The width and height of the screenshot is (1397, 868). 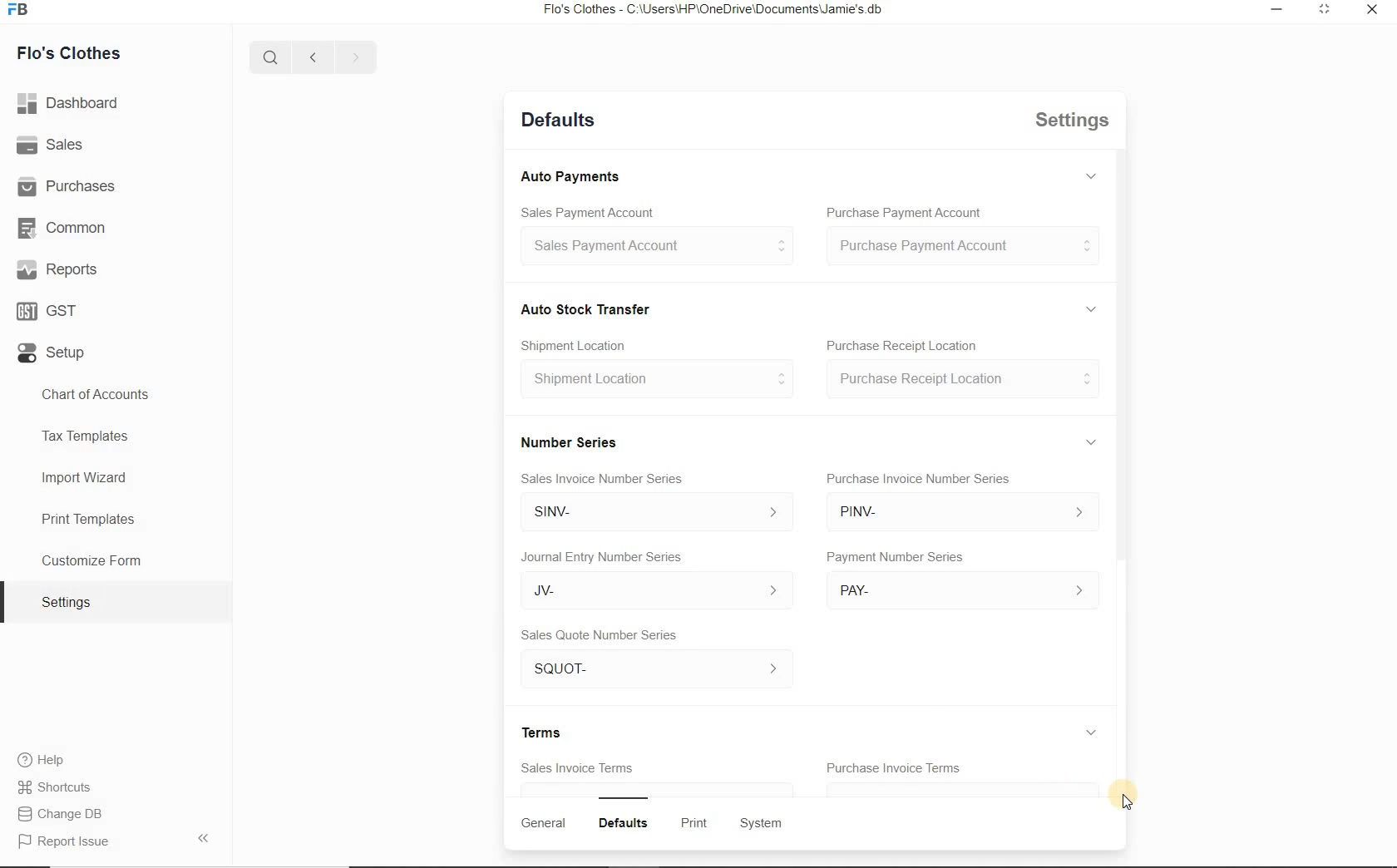 I want to click on Expand, so click(x=1091, y=308).